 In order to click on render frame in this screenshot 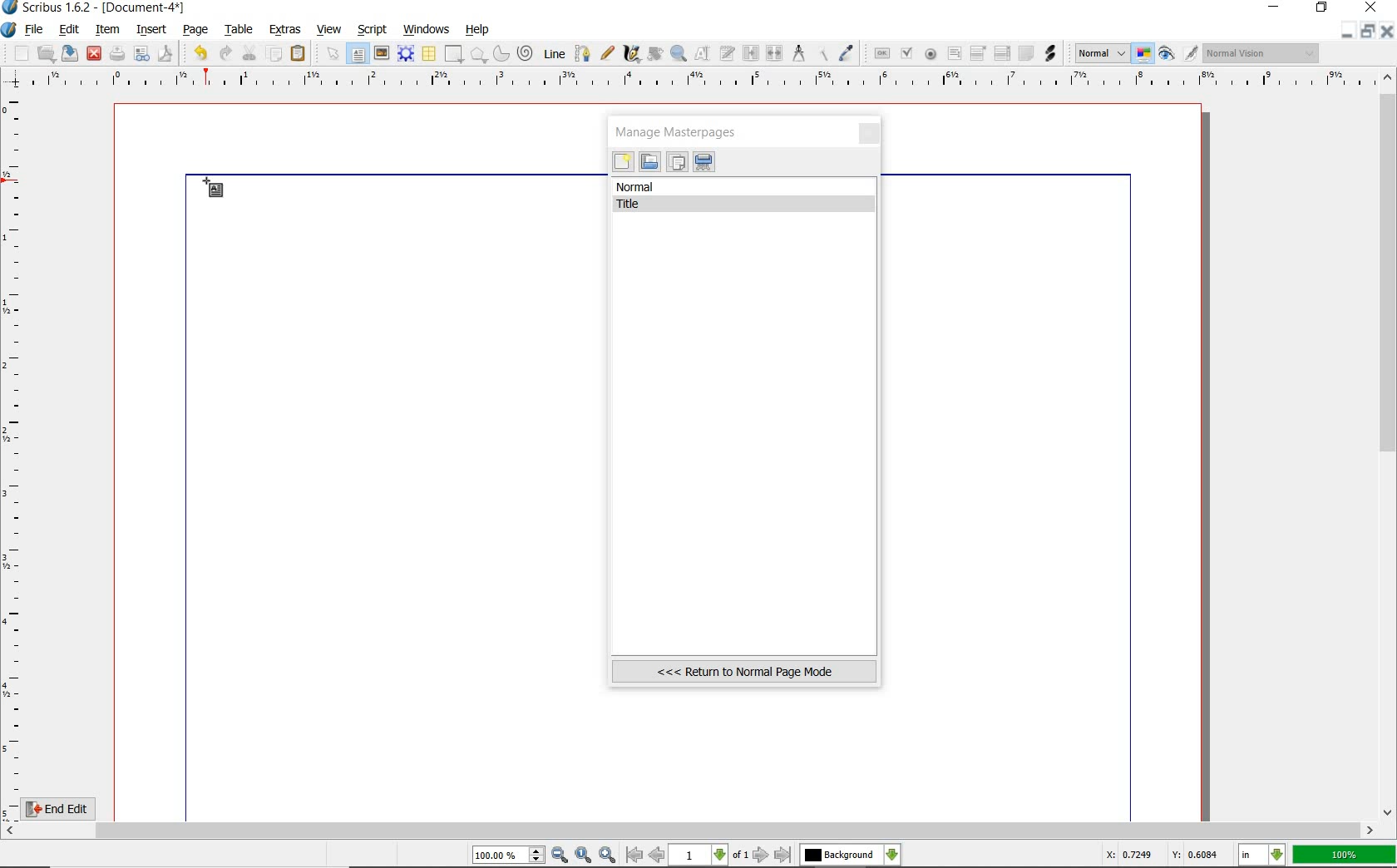, I will do `click(406, 53)`.